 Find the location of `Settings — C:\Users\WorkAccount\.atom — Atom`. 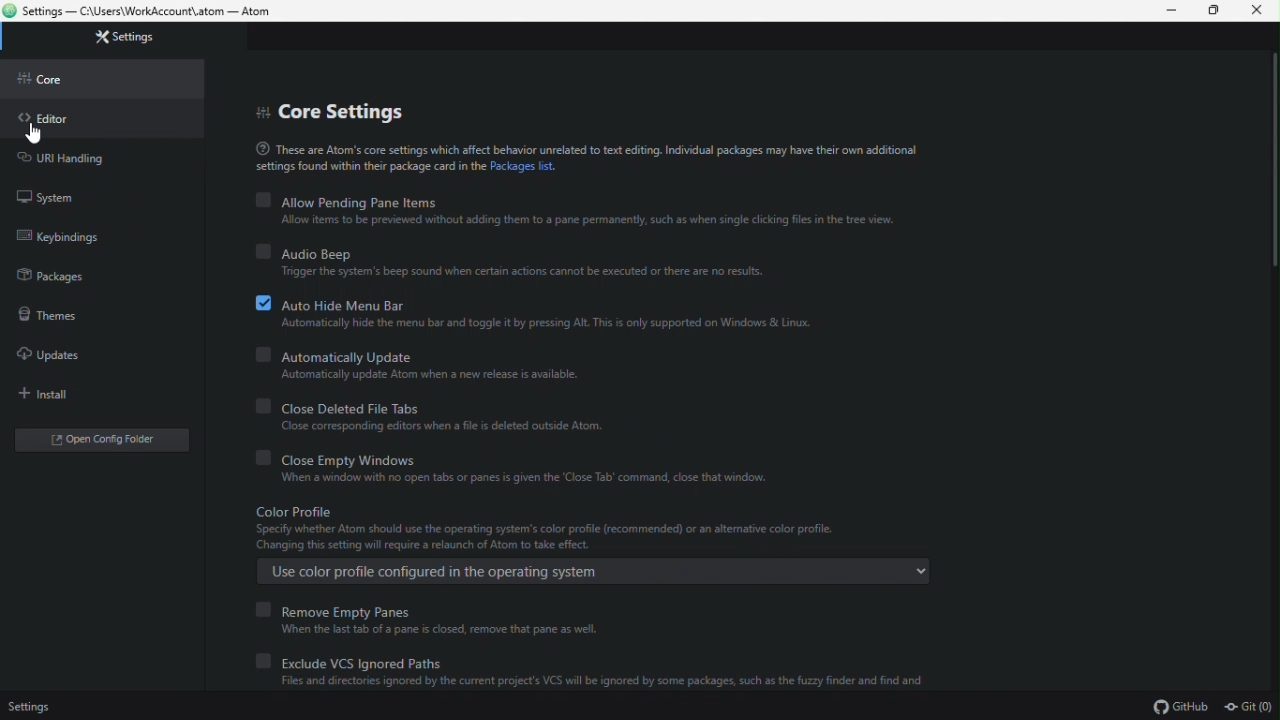

Settings — C:\Users\WorkAccount\.atom — Atom is located at coordinates (144, 12).